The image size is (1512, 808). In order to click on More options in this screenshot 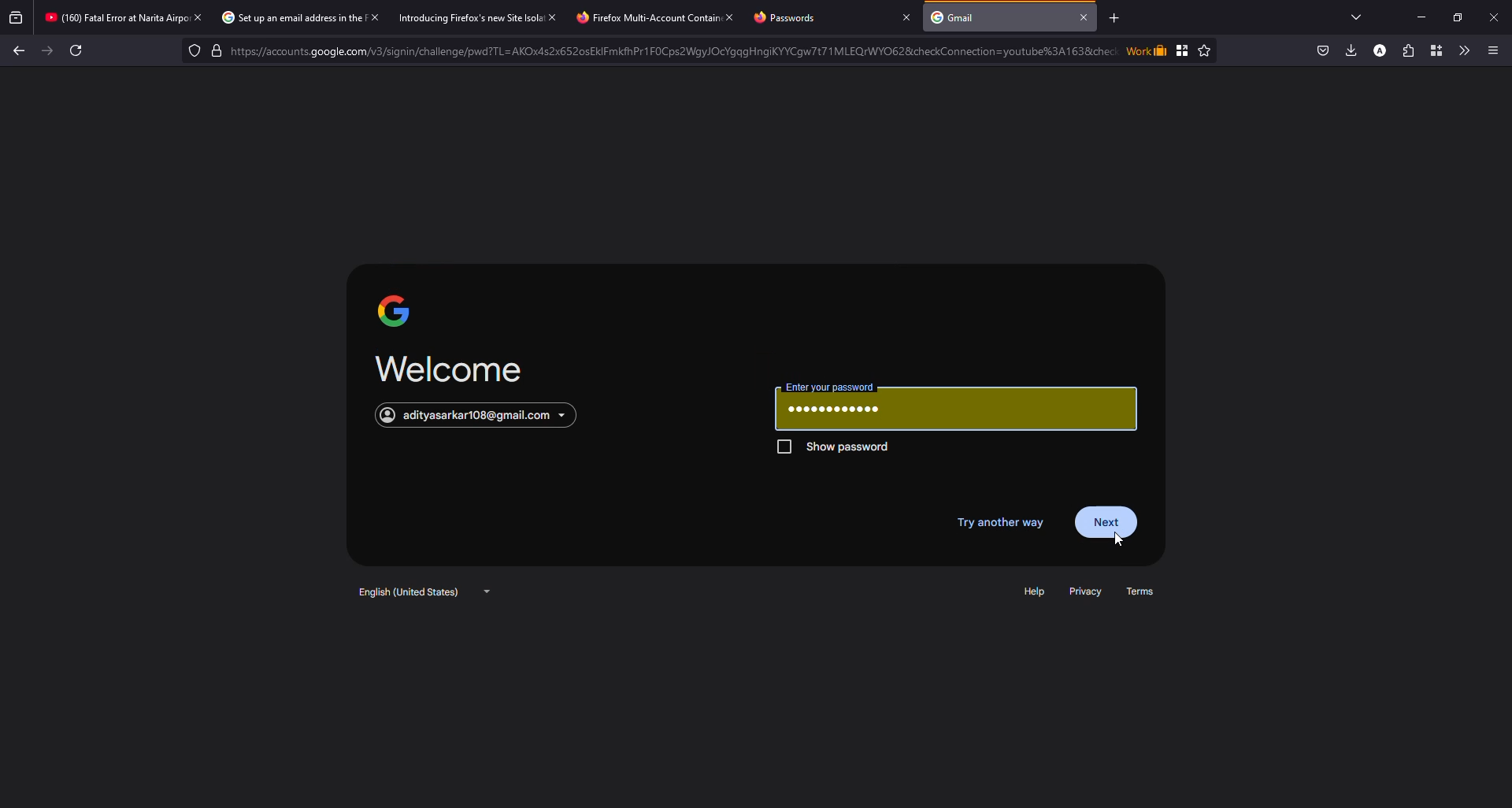, I will do `click(1497, 48)`.